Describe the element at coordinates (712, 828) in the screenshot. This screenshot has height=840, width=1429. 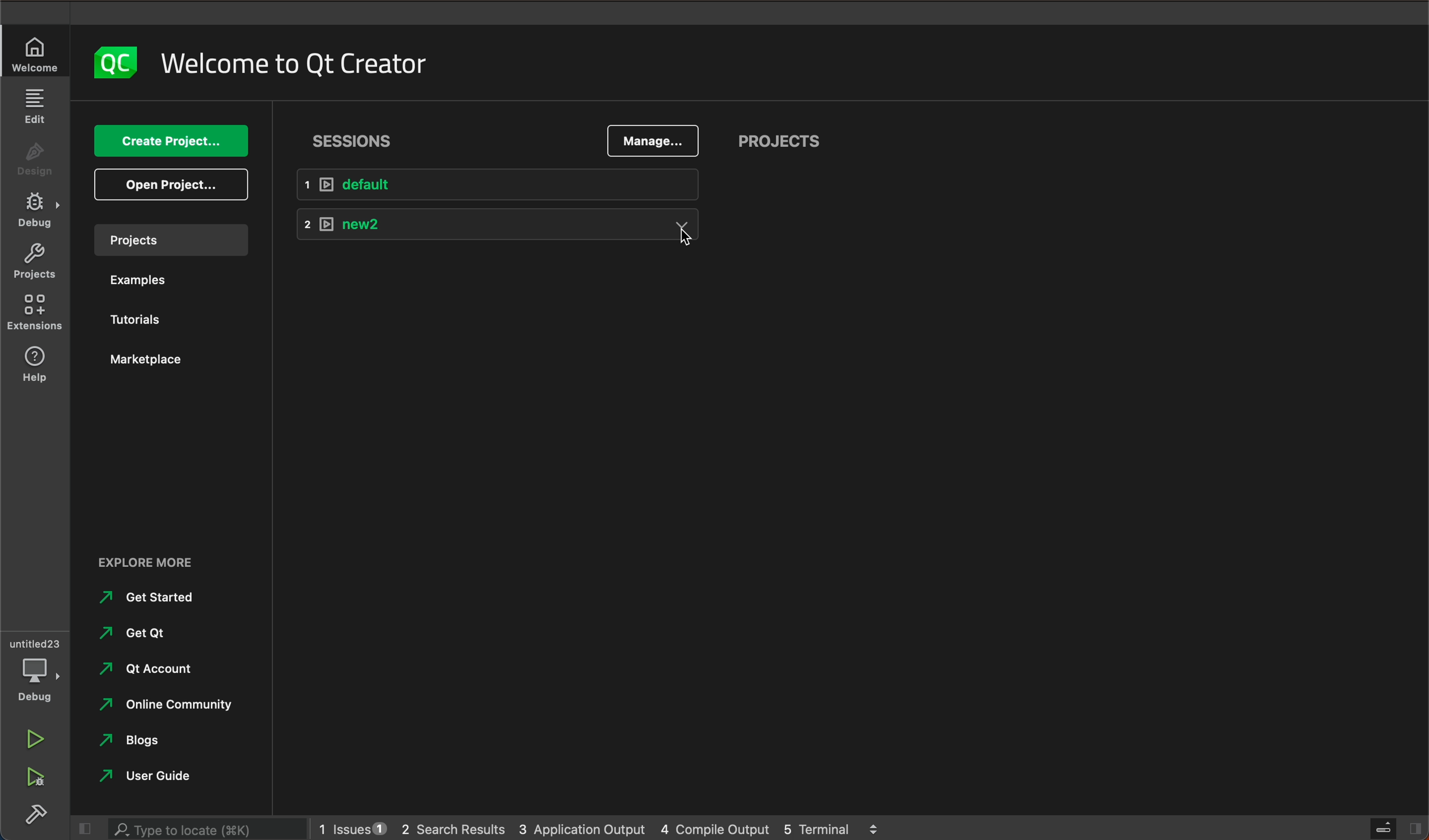
I see `compile output` at that location.